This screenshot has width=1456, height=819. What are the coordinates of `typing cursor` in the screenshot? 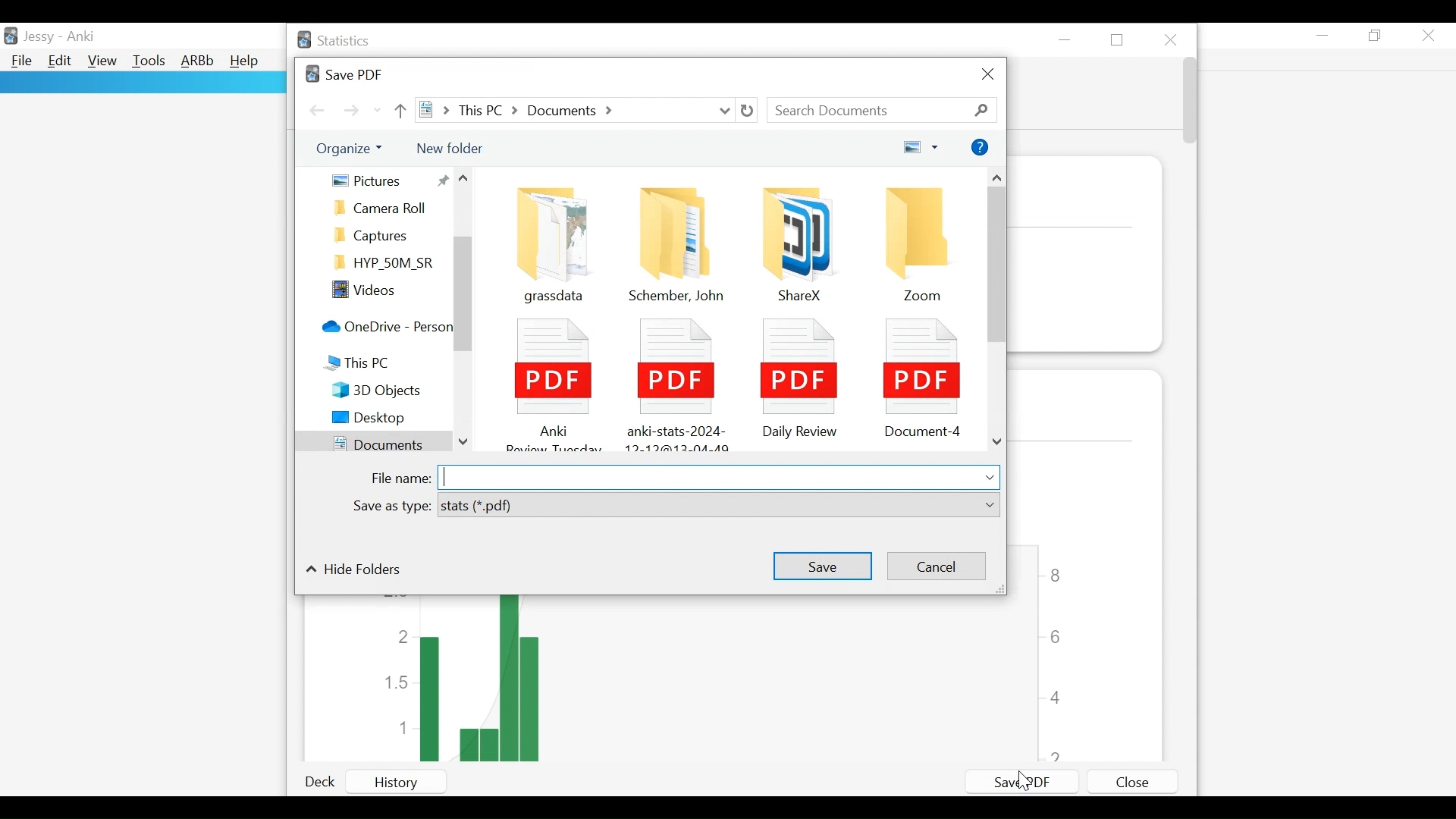 It's located at (450, 476).